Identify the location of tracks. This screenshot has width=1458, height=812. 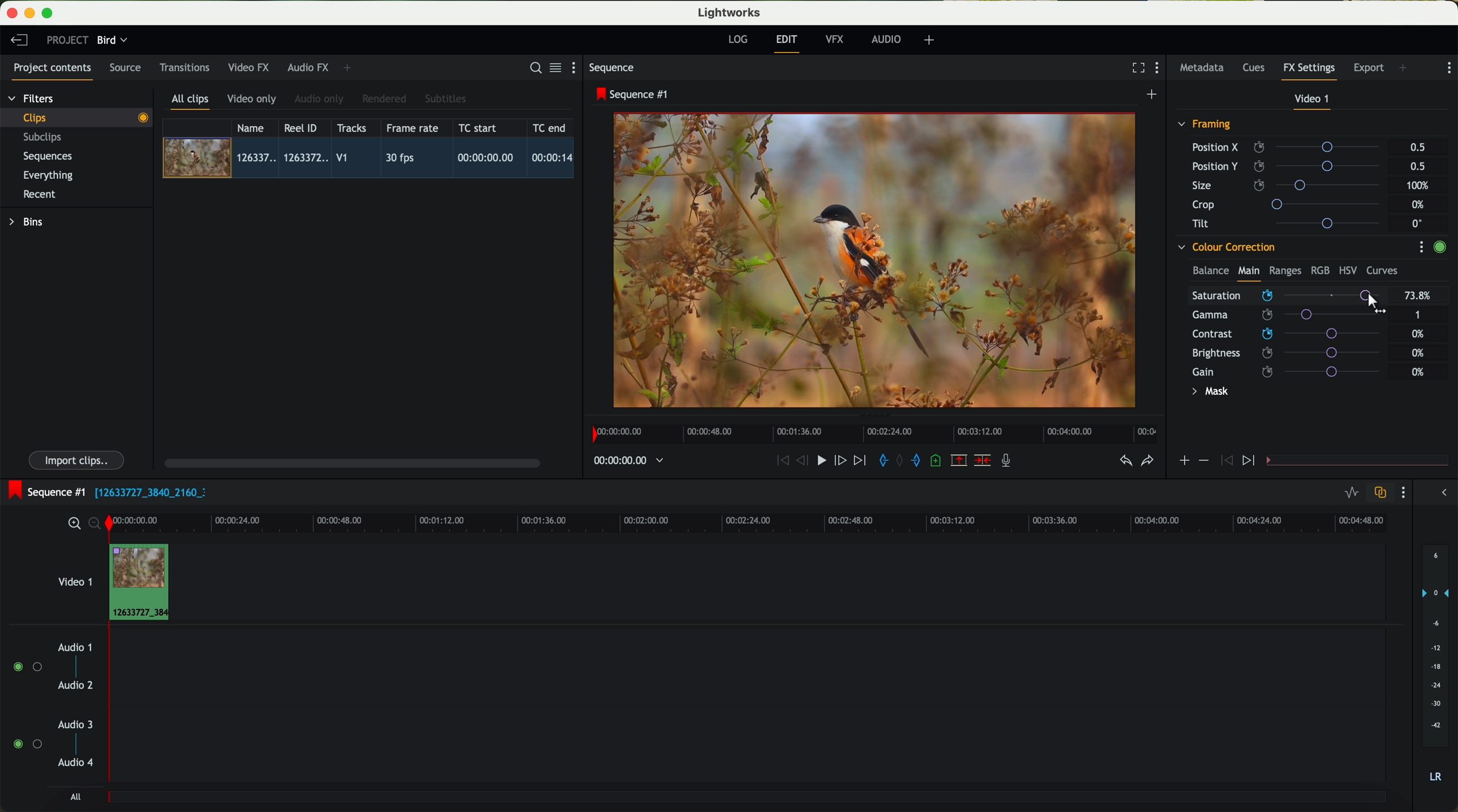
(350, 128).